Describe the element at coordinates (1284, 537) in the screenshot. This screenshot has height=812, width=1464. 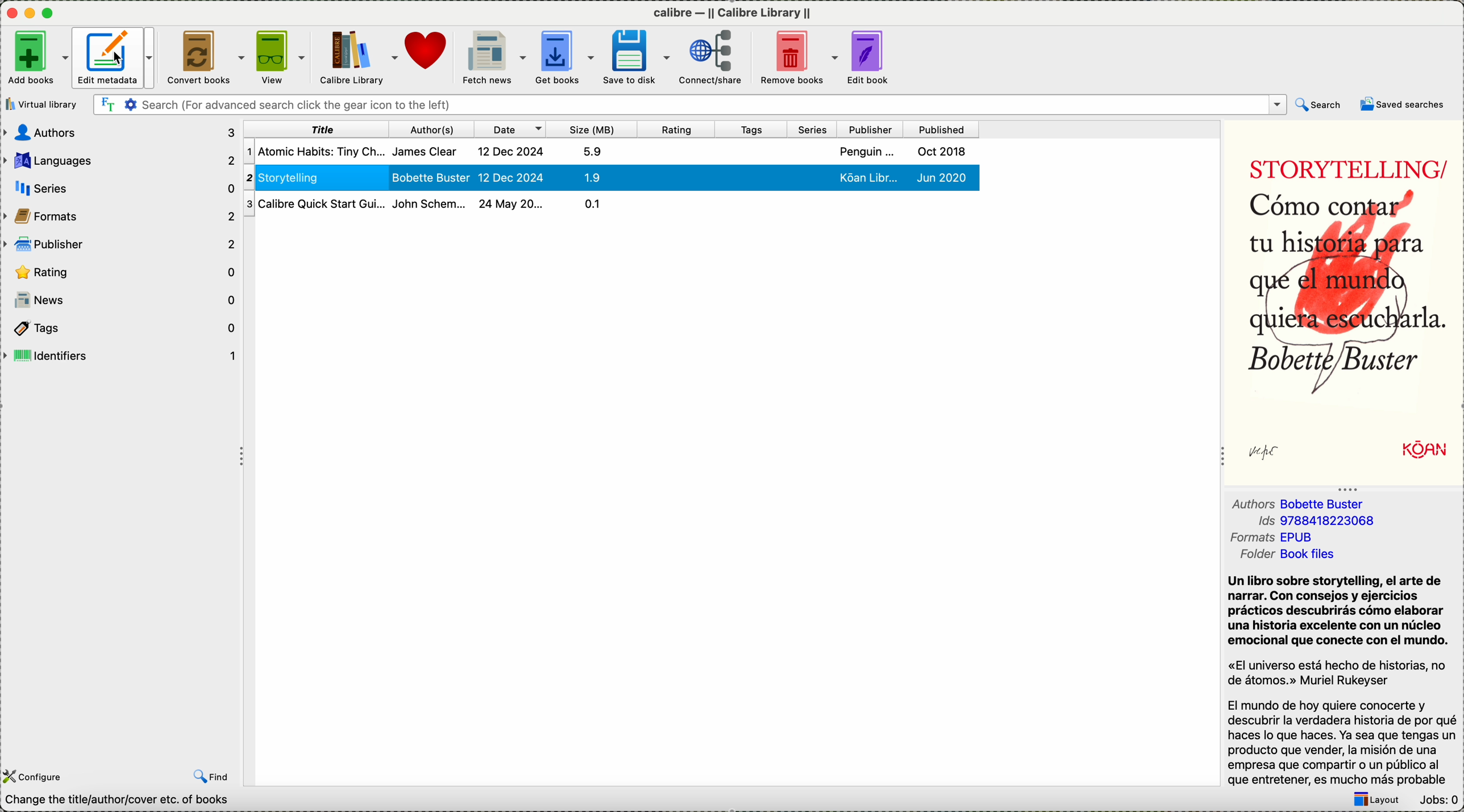
I see `folder` at that location.